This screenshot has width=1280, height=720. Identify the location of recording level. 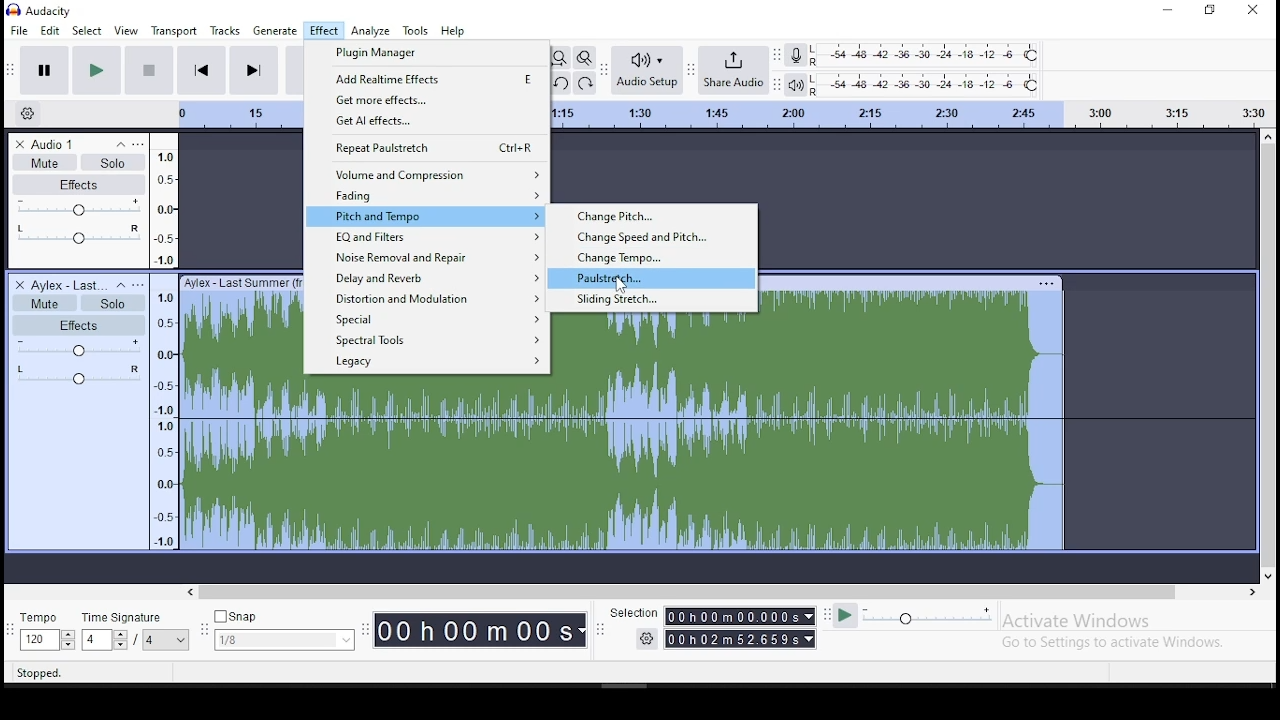
(928, 56).